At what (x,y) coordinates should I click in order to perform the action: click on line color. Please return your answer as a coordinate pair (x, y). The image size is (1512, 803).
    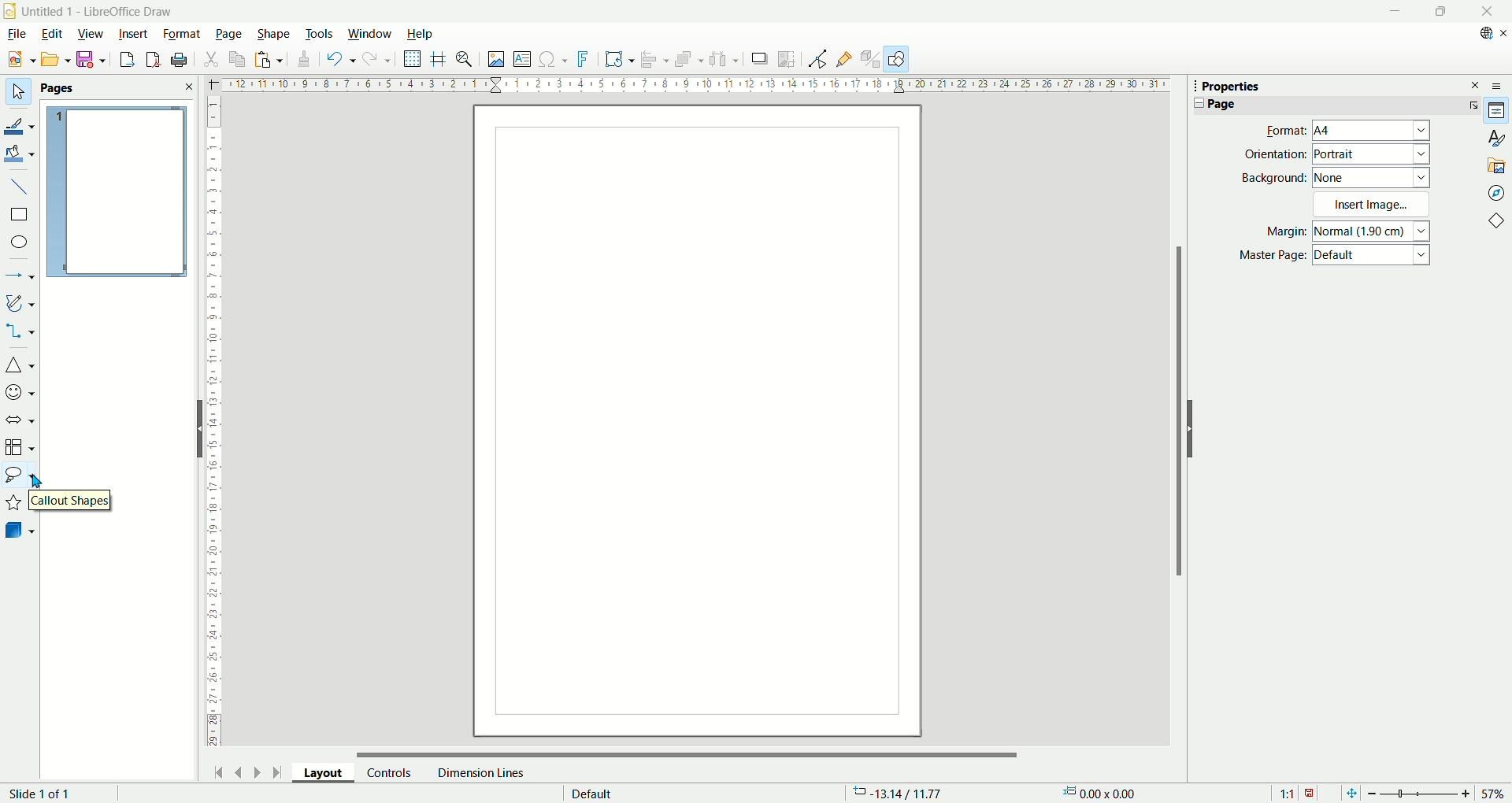
    Looking at the image, I should click on (20, 124).